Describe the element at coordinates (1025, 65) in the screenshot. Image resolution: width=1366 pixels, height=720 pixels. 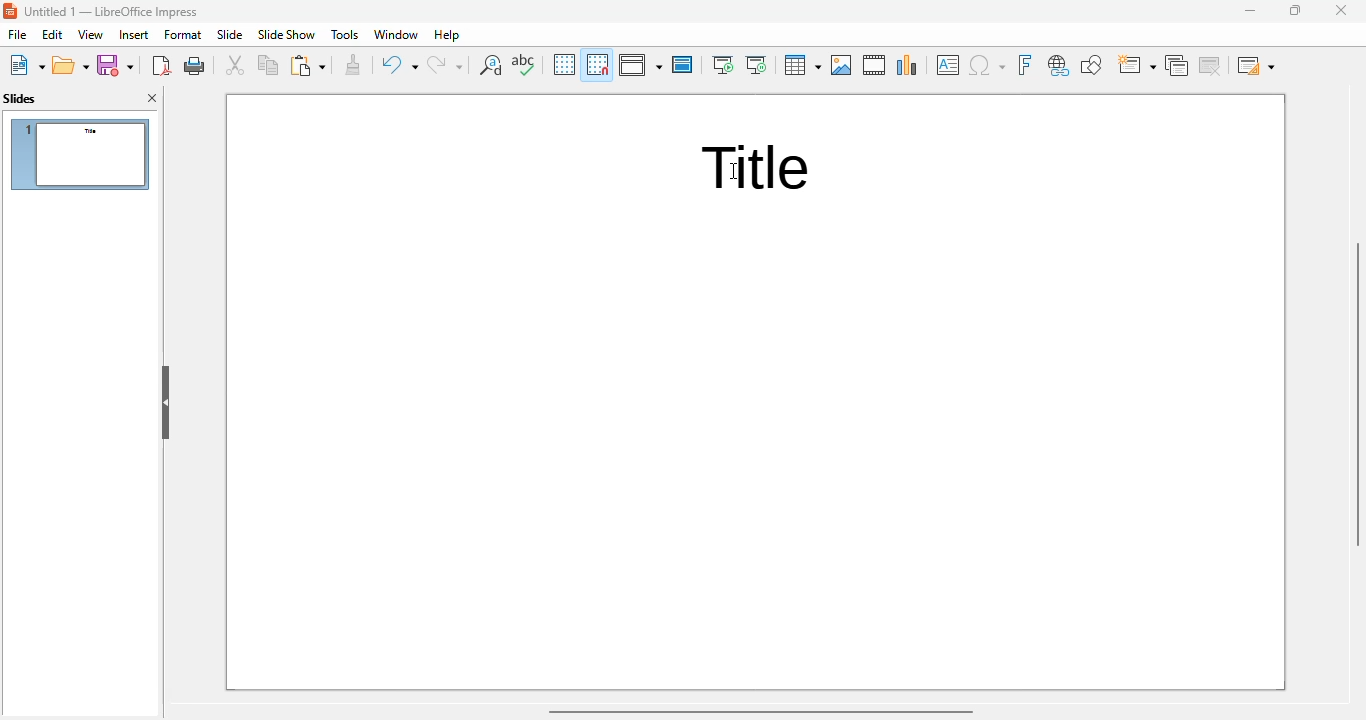
I see `insert fontwork text` at that location.